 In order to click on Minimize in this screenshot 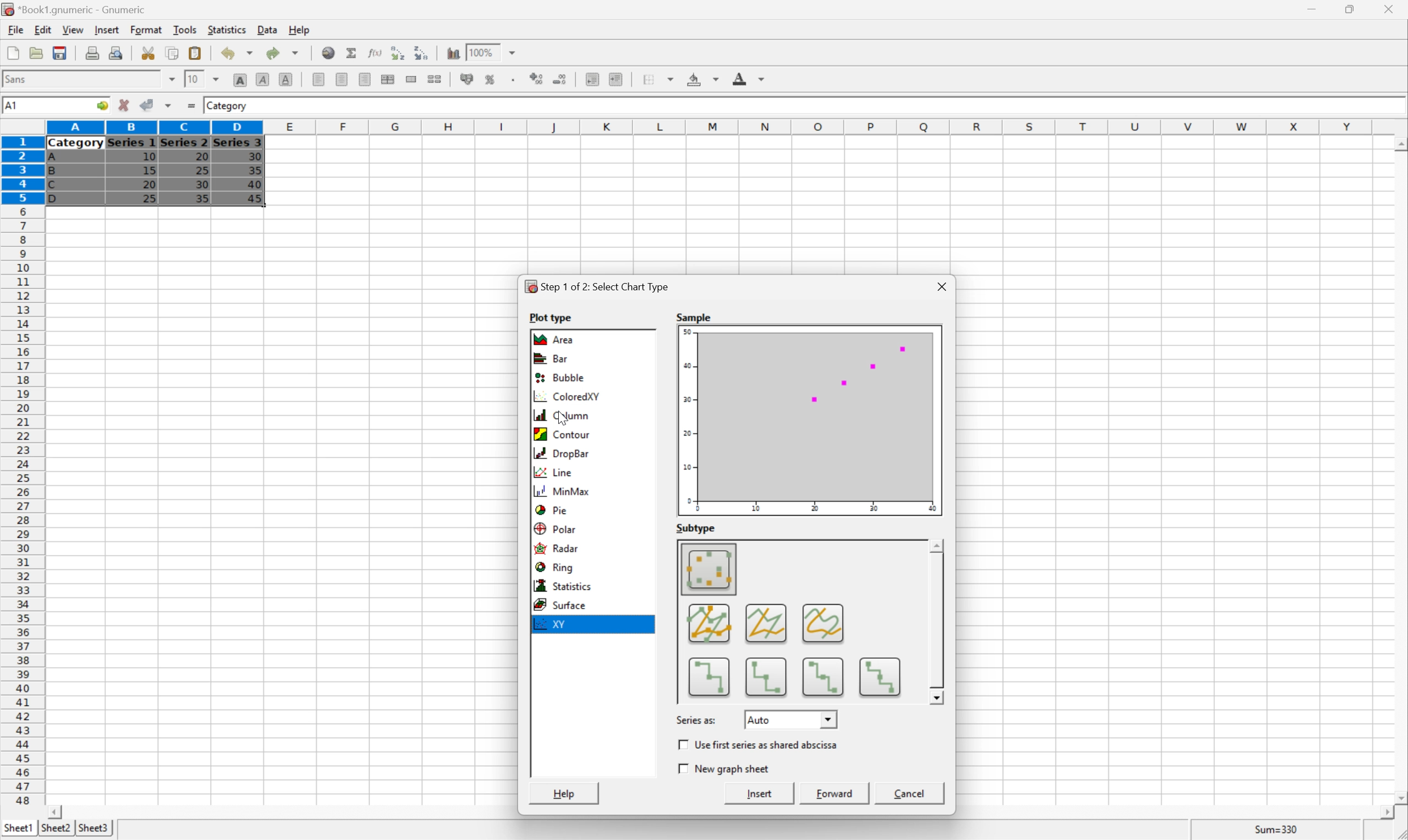, I will do `click(1308, 10)`.